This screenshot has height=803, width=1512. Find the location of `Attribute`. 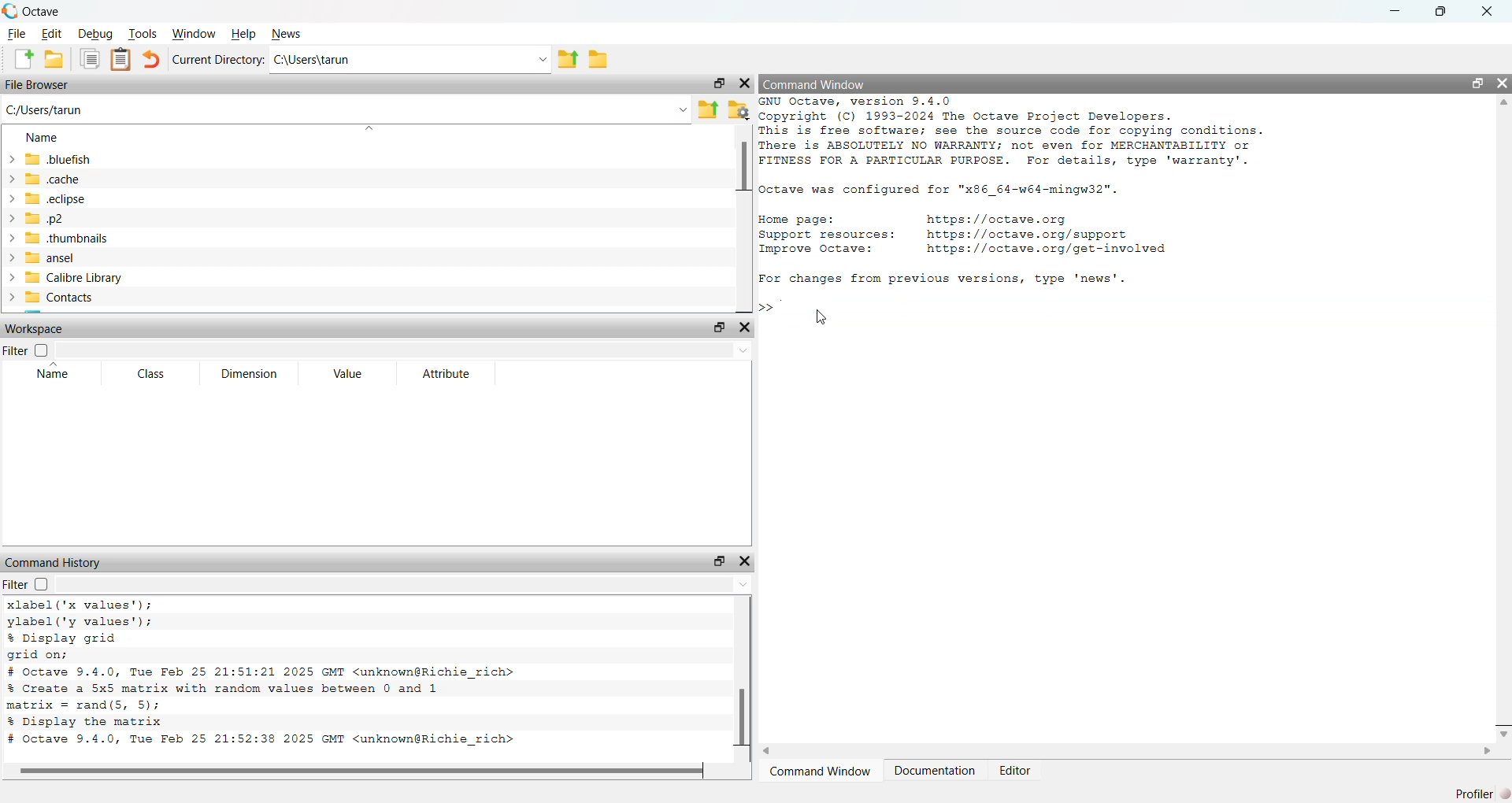

Attribute is located at coordinates (446, 373).